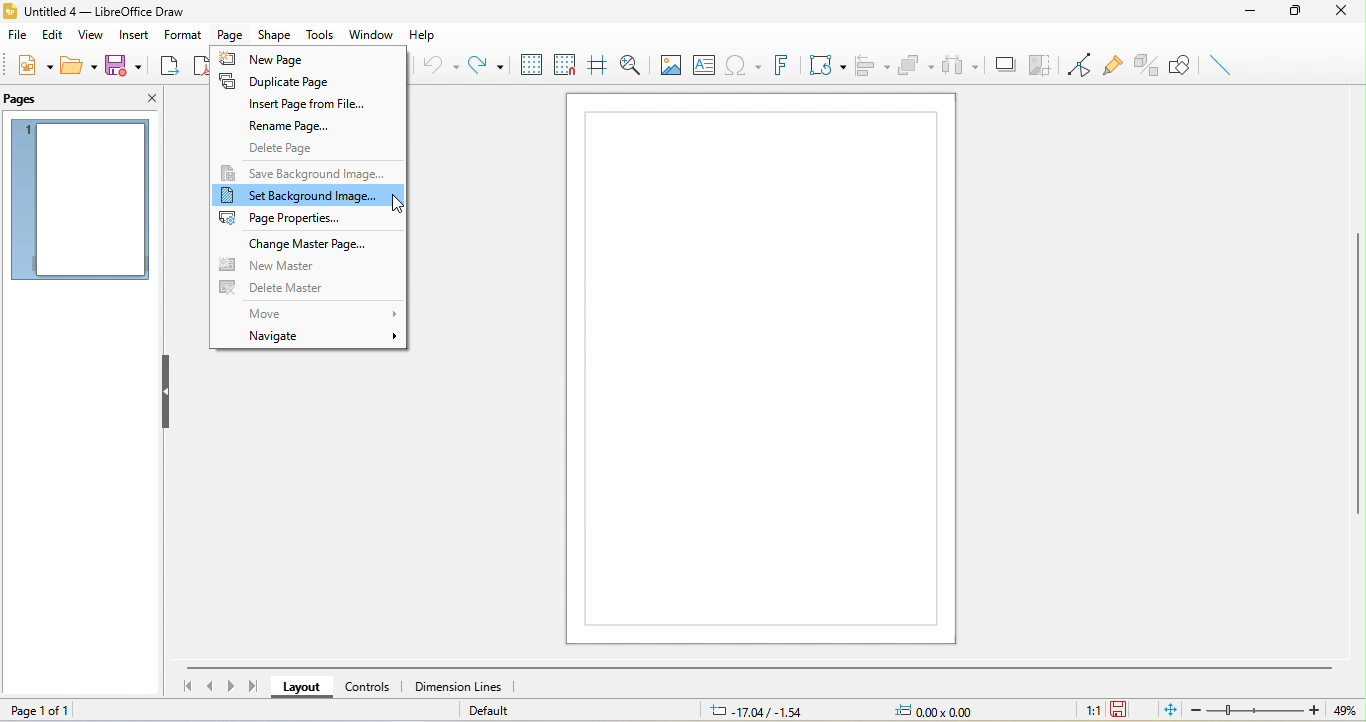 The image size is (1366, 722). Describe the element at coordinates (1080, 65) in the screenshot. I see `toggle point edit mode` at that location.